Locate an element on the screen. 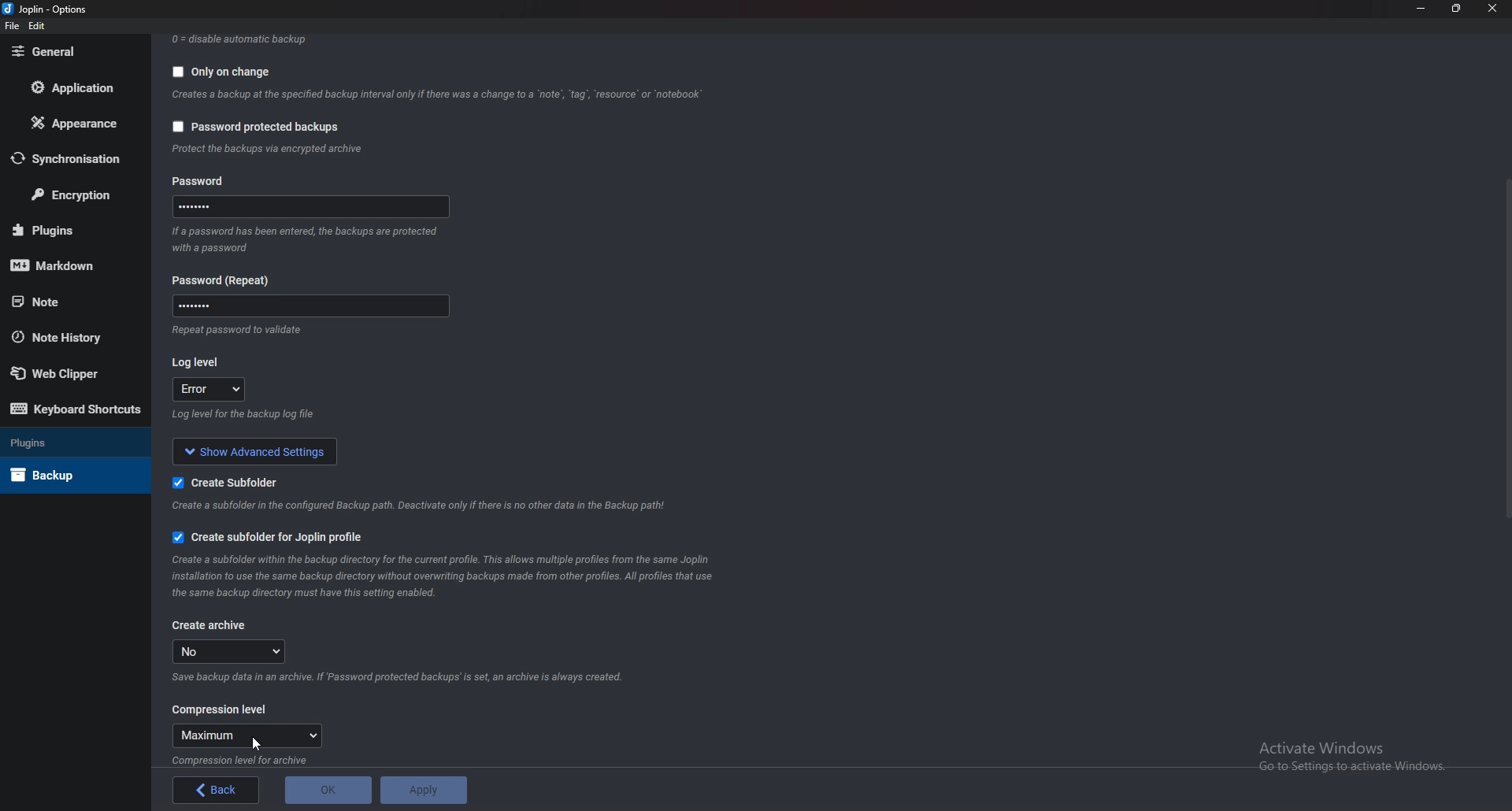 The image size is (1512, 811). info on subfolder is located at coordinates (424, 505).